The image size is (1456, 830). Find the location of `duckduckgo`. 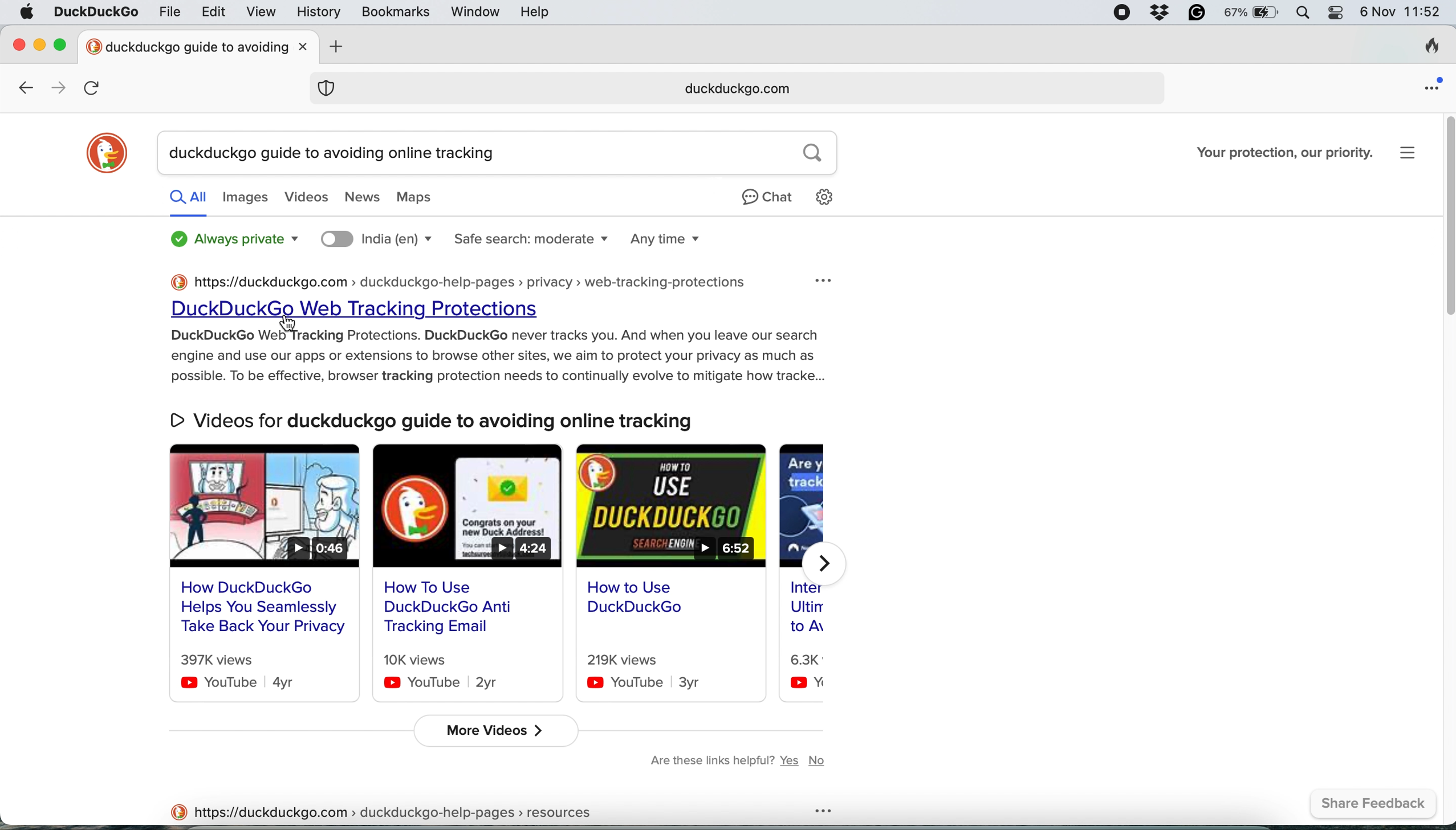

duckduckgo is located at coordinates (97, 10).